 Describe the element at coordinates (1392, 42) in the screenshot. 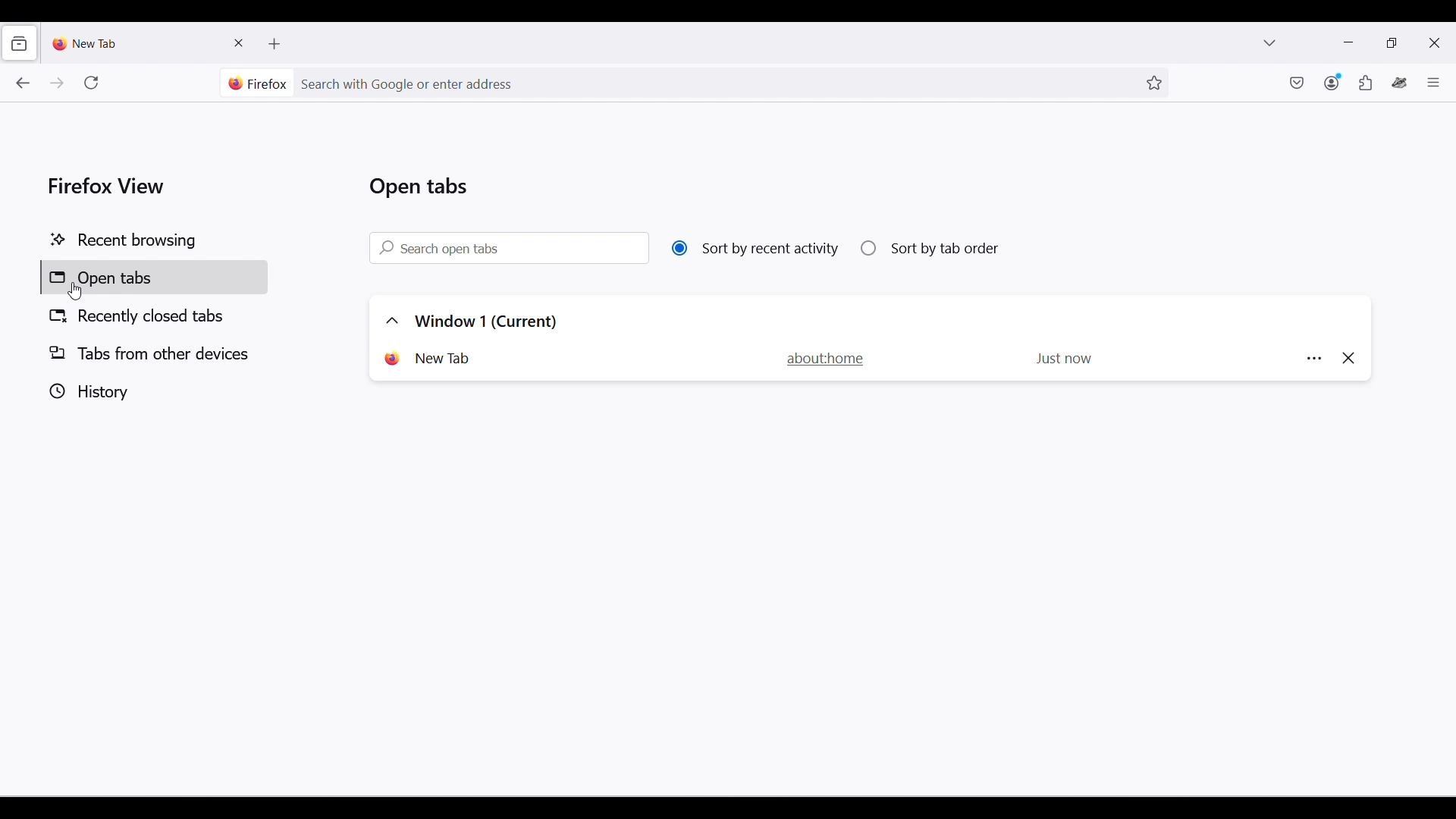

I see `Show browser in a smaller tab` at that location.